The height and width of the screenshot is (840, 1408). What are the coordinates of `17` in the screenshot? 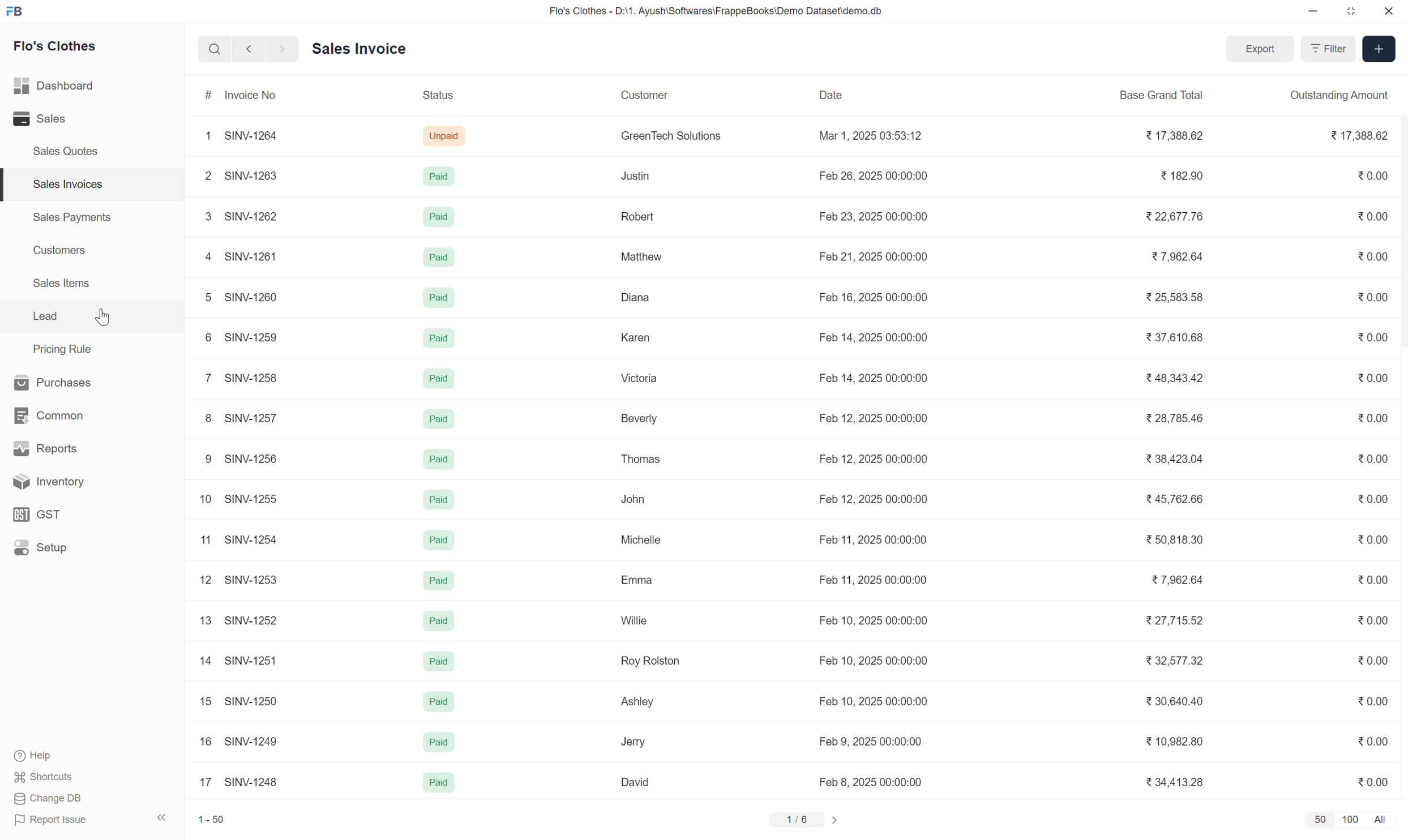 It's located at (201, 782).